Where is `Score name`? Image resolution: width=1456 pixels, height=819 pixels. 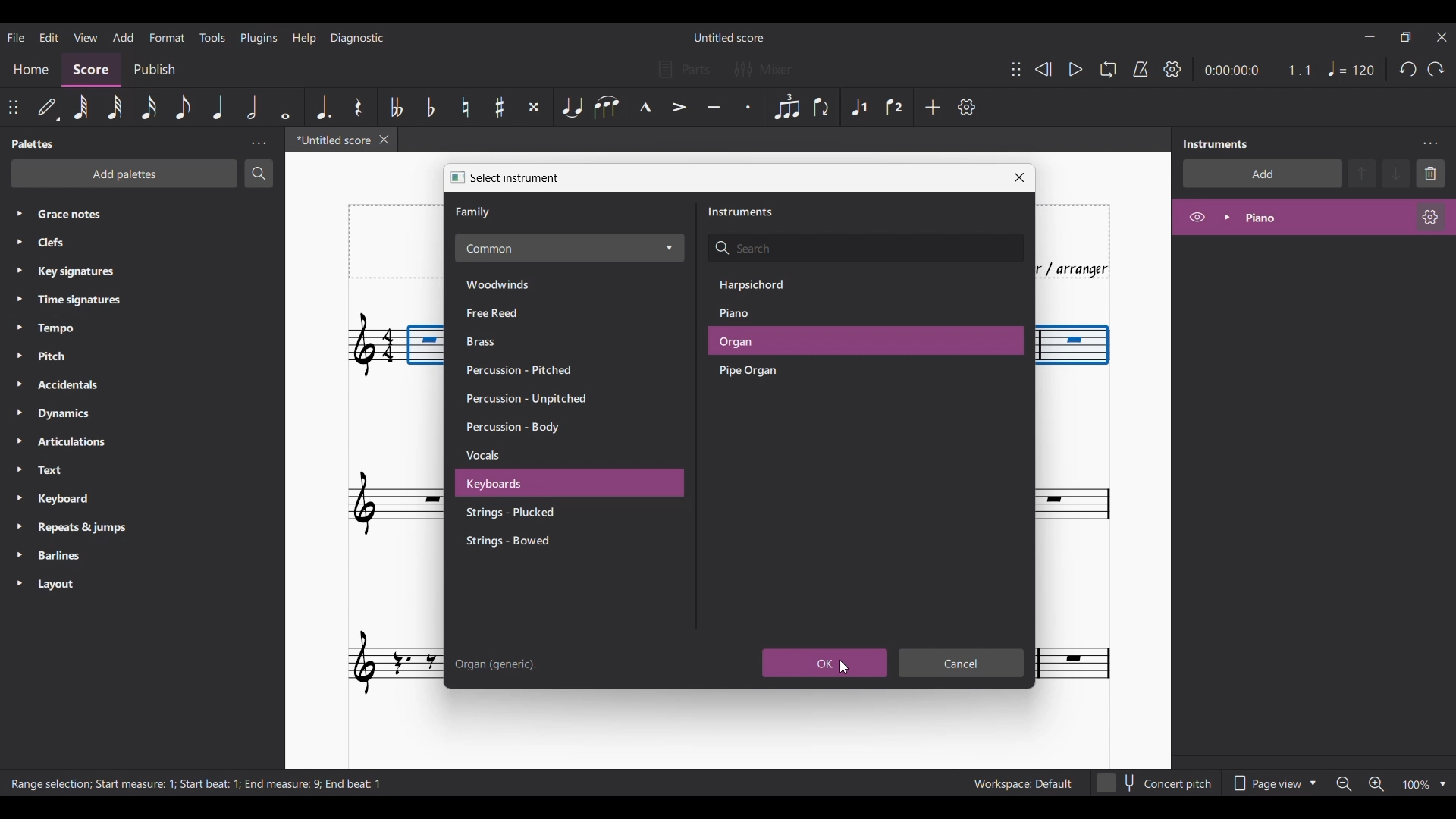
Score name is located at coordinates (728, 37).